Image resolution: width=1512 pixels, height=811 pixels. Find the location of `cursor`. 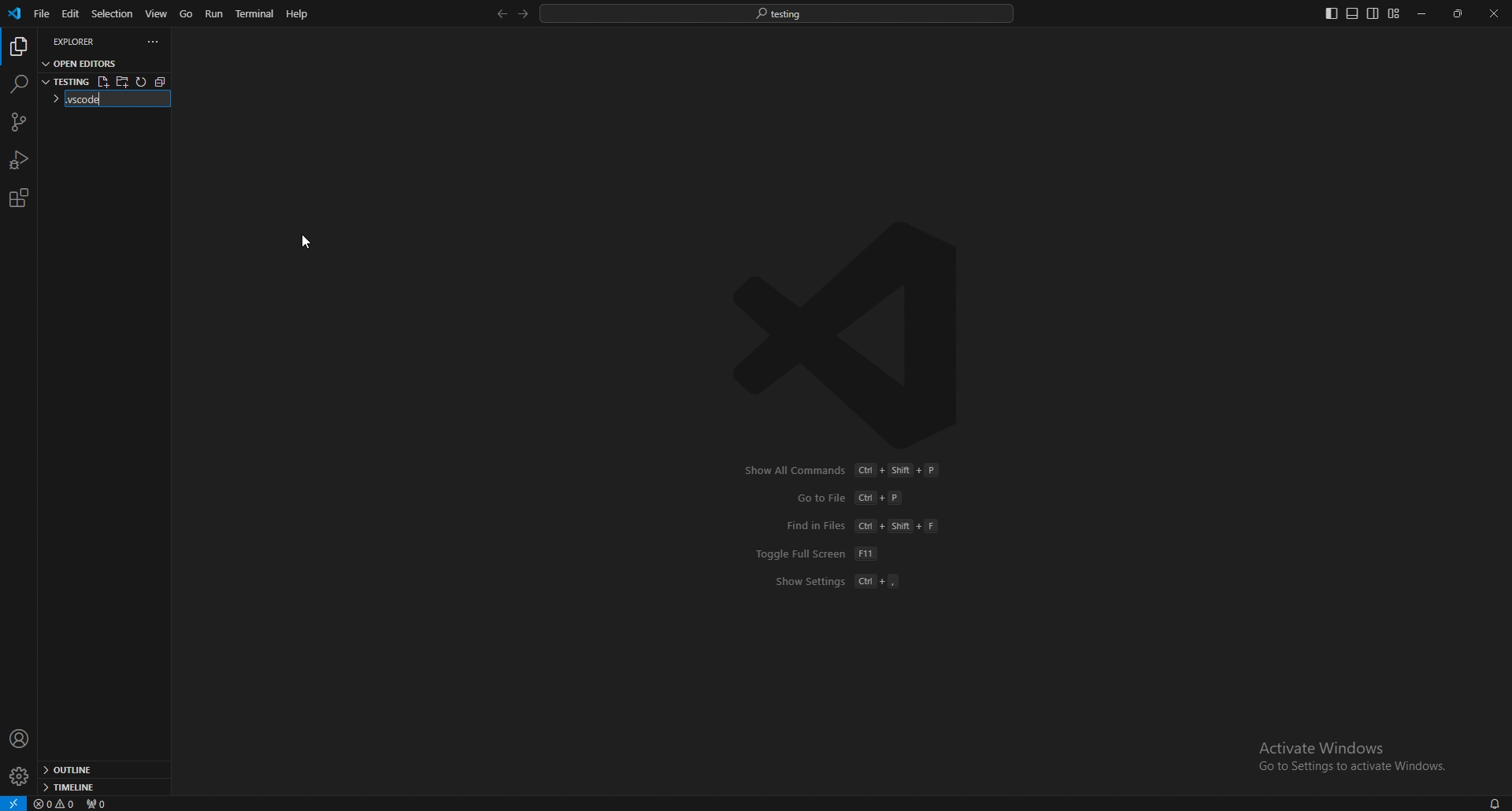

cursor is located at coordinates (312, 235).